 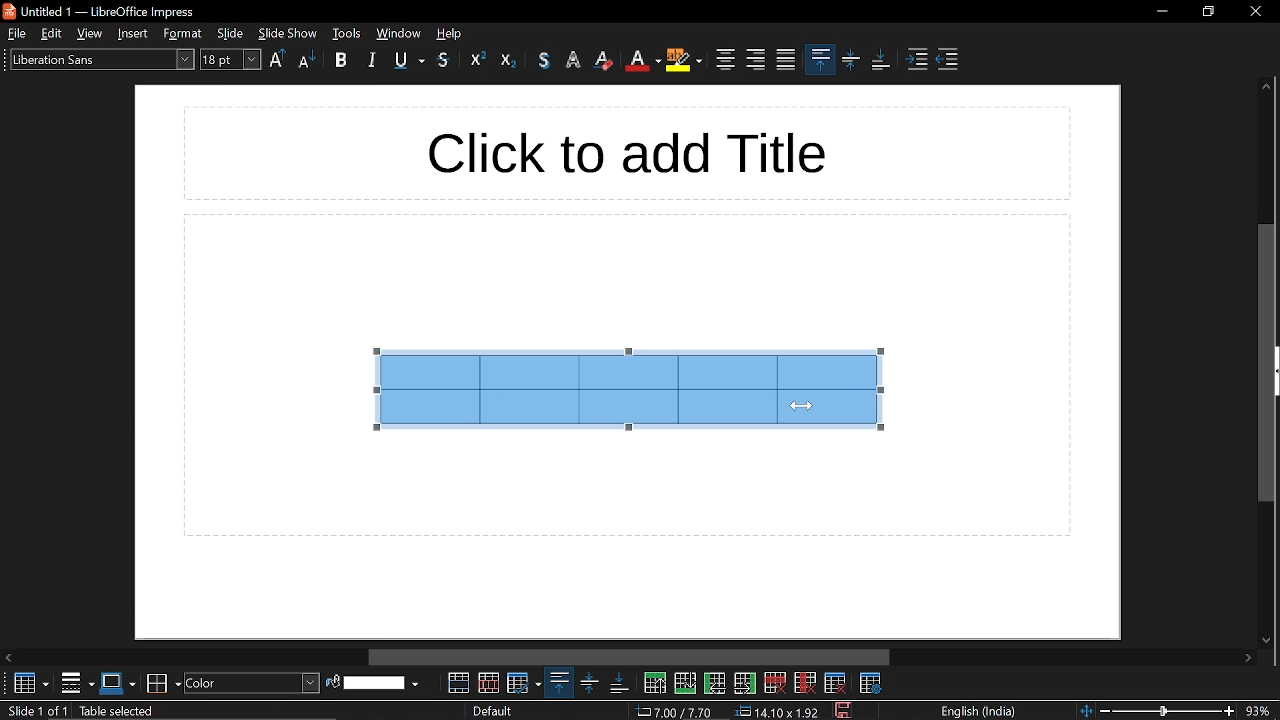 What do you see at coordinates (586, 683) in the screenshot?
I see `center vertically` at bounding box center [586, 683].